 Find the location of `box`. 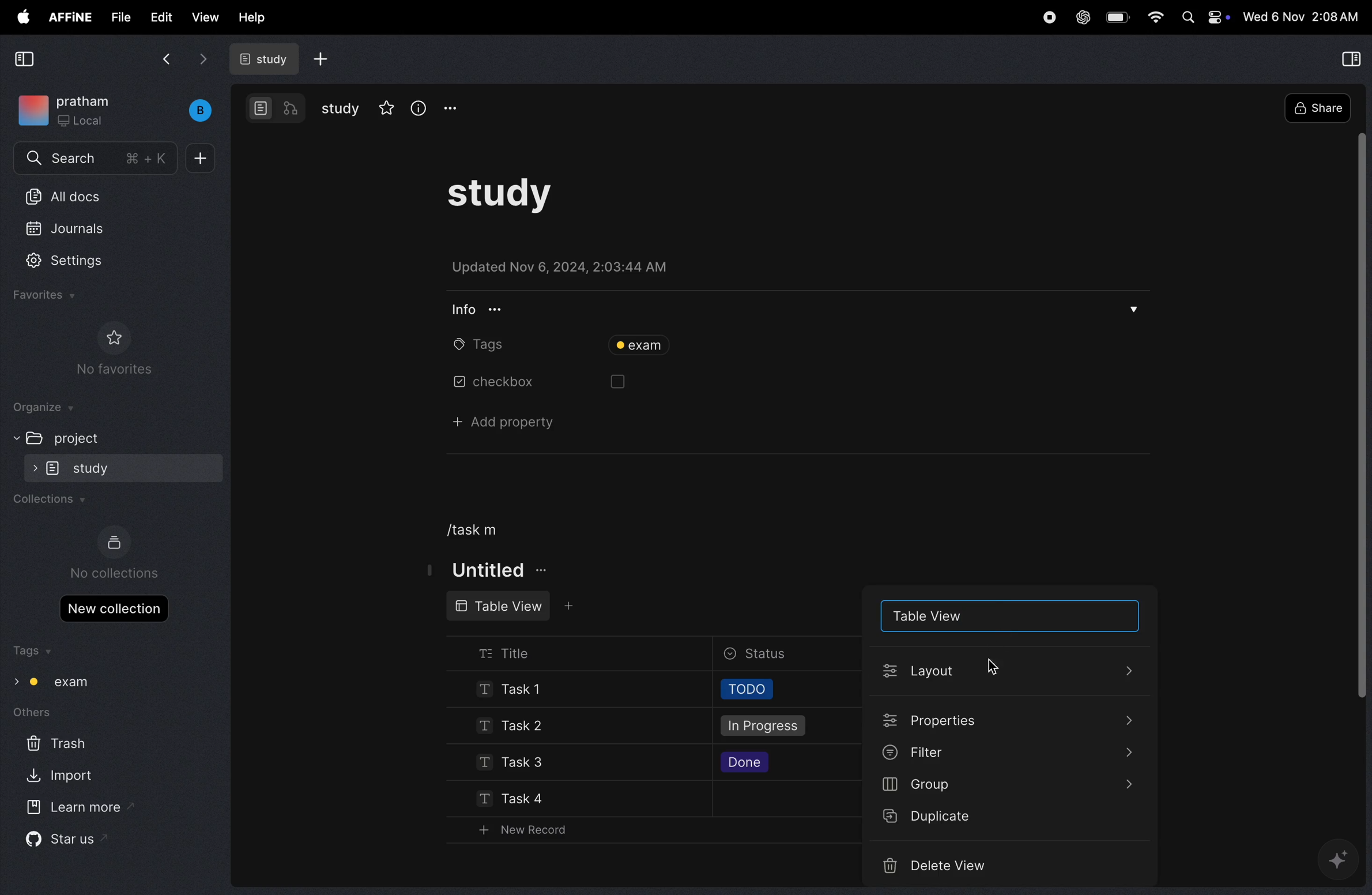

box is located at coordinates (613, 382).